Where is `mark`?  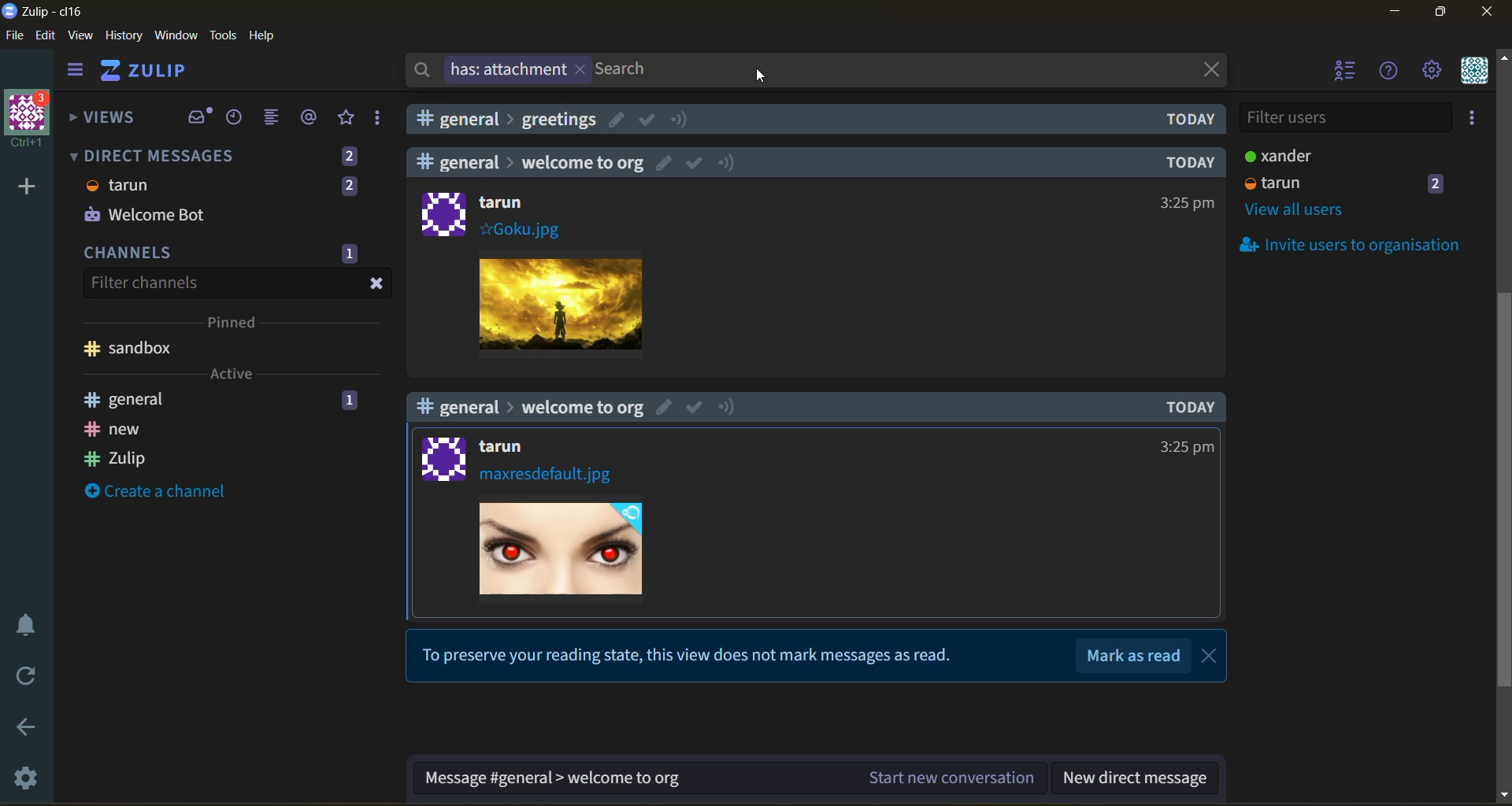 mark is located at coordinates (695, 405).